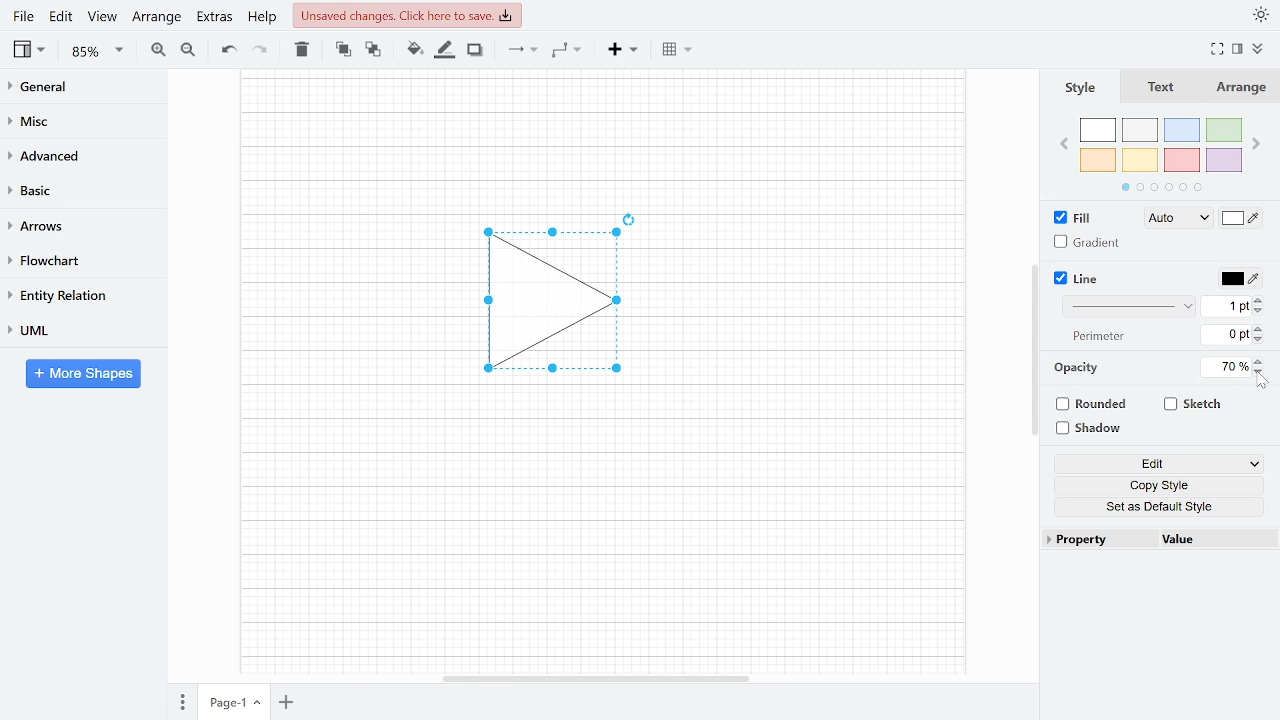 The height and width of the screenshot is (720, 1280). Describe the element at coordinates (1238, 50) in the screenshot. I see `Format (Ctrl+Shift+P)` at that location.